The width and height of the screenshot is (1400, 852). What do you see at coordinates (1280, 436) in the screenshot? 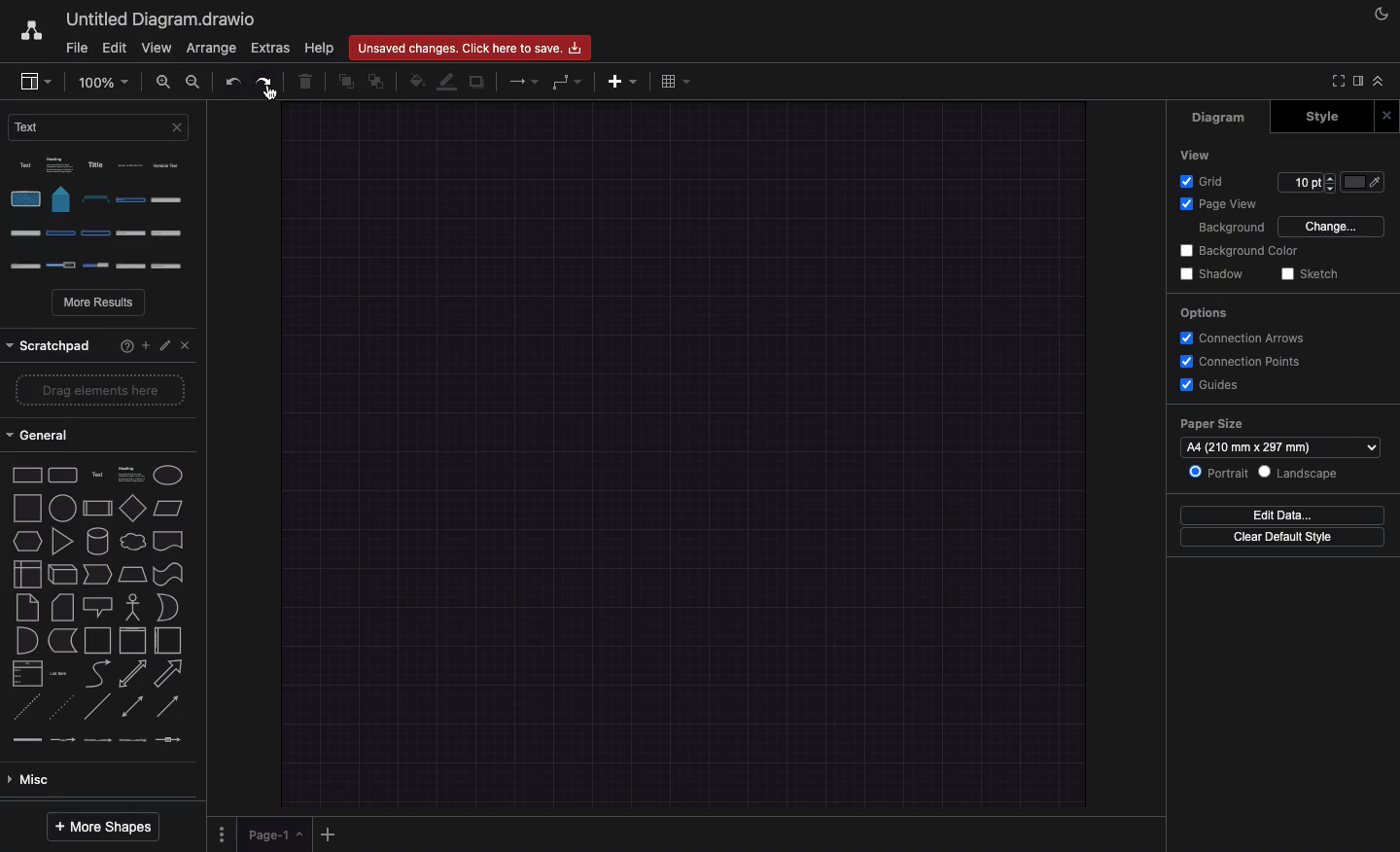
I see `Paper size` at bounding box center [1280, 436].